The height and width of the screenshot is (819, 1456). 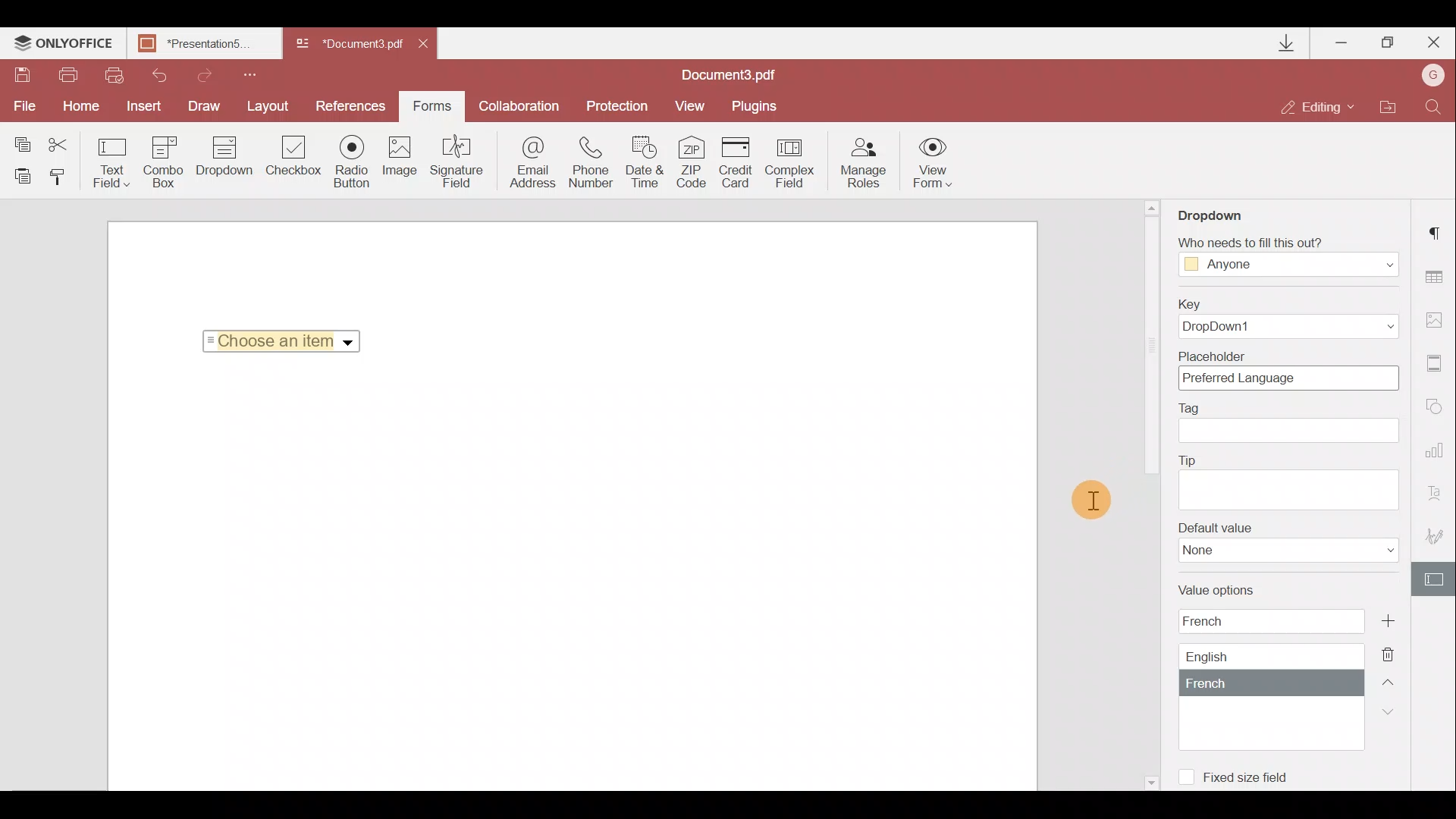 What do you see at coordinates (1393, 711) in the screenshot?
I see `Down` at bounding box center [1393, 711].